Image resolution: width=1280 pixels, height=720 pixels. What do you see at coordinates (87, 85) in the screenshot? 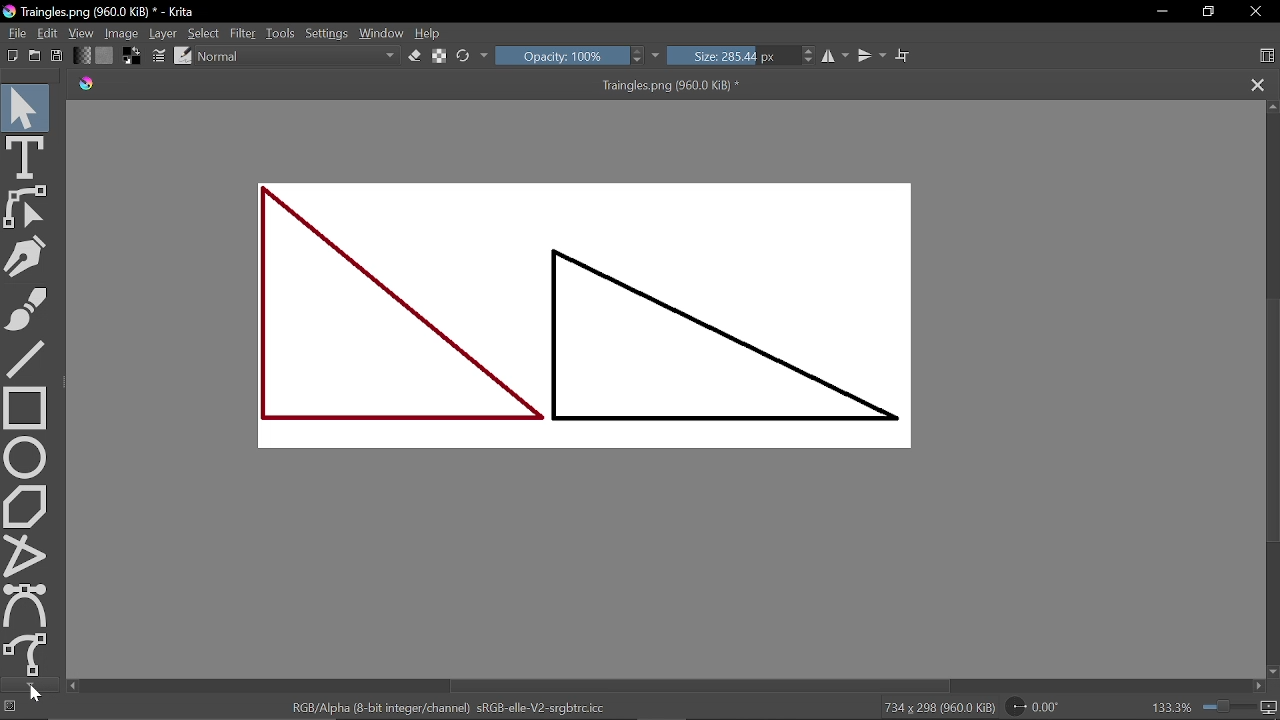
I see `logo` at bounding box center [87, 85].